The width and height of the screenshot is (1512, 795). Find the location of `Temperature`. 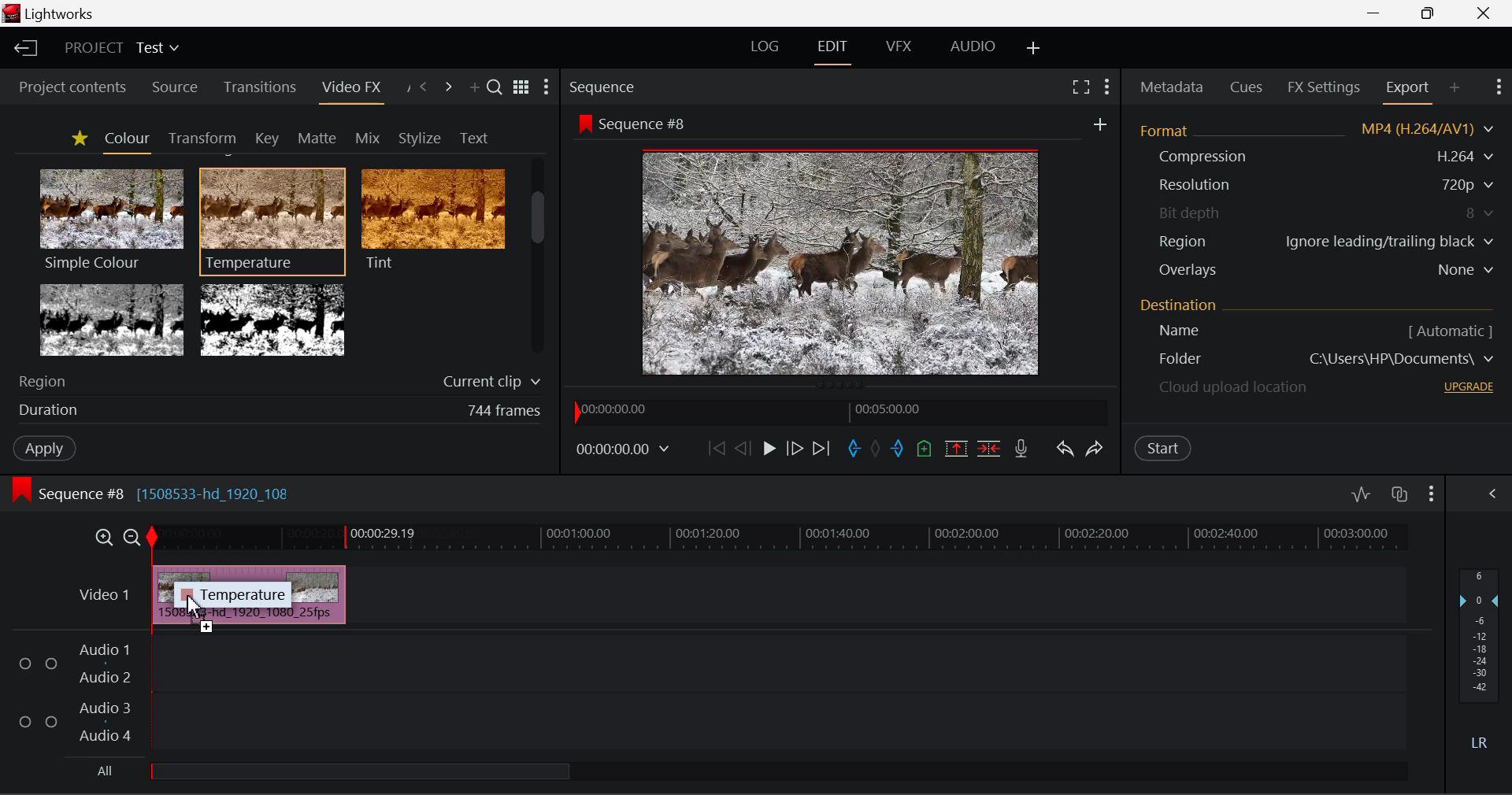

Temperature is located at coordinates (273, 219).